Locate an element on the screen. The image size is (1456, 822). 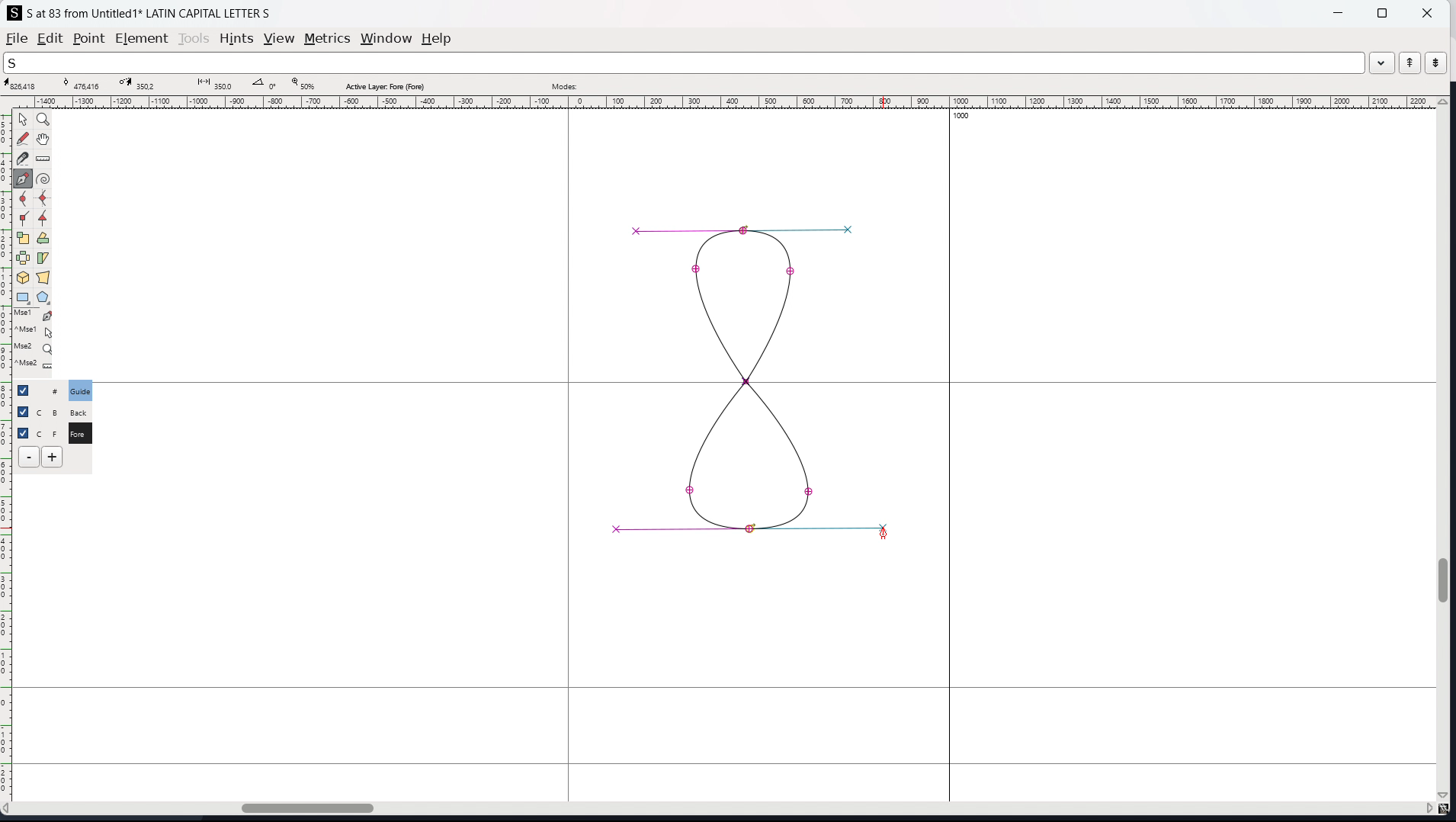
toggle spiro is located at coordinates (43, 178).